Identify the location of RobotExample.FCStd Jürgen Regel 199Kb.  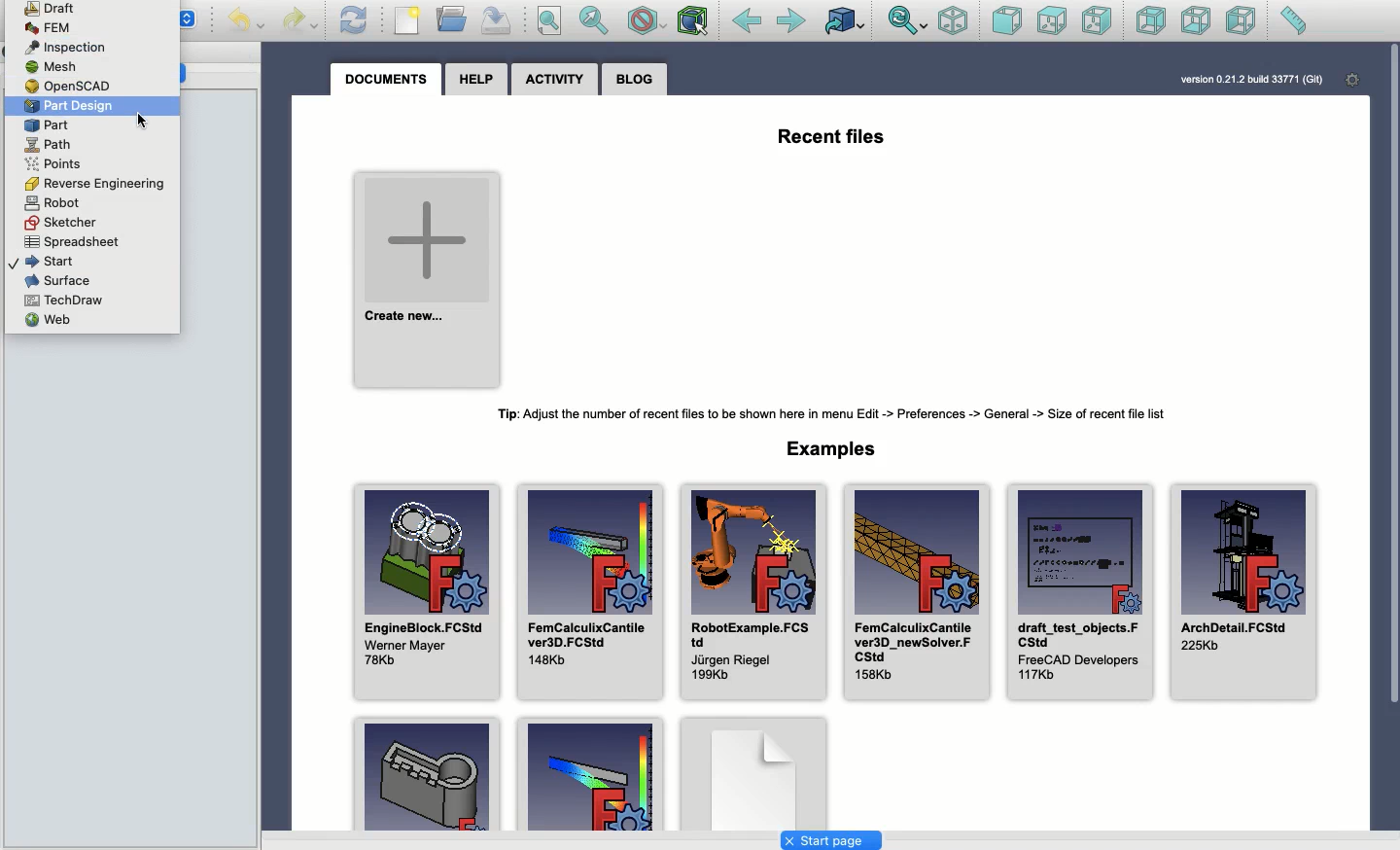
(752, 593).